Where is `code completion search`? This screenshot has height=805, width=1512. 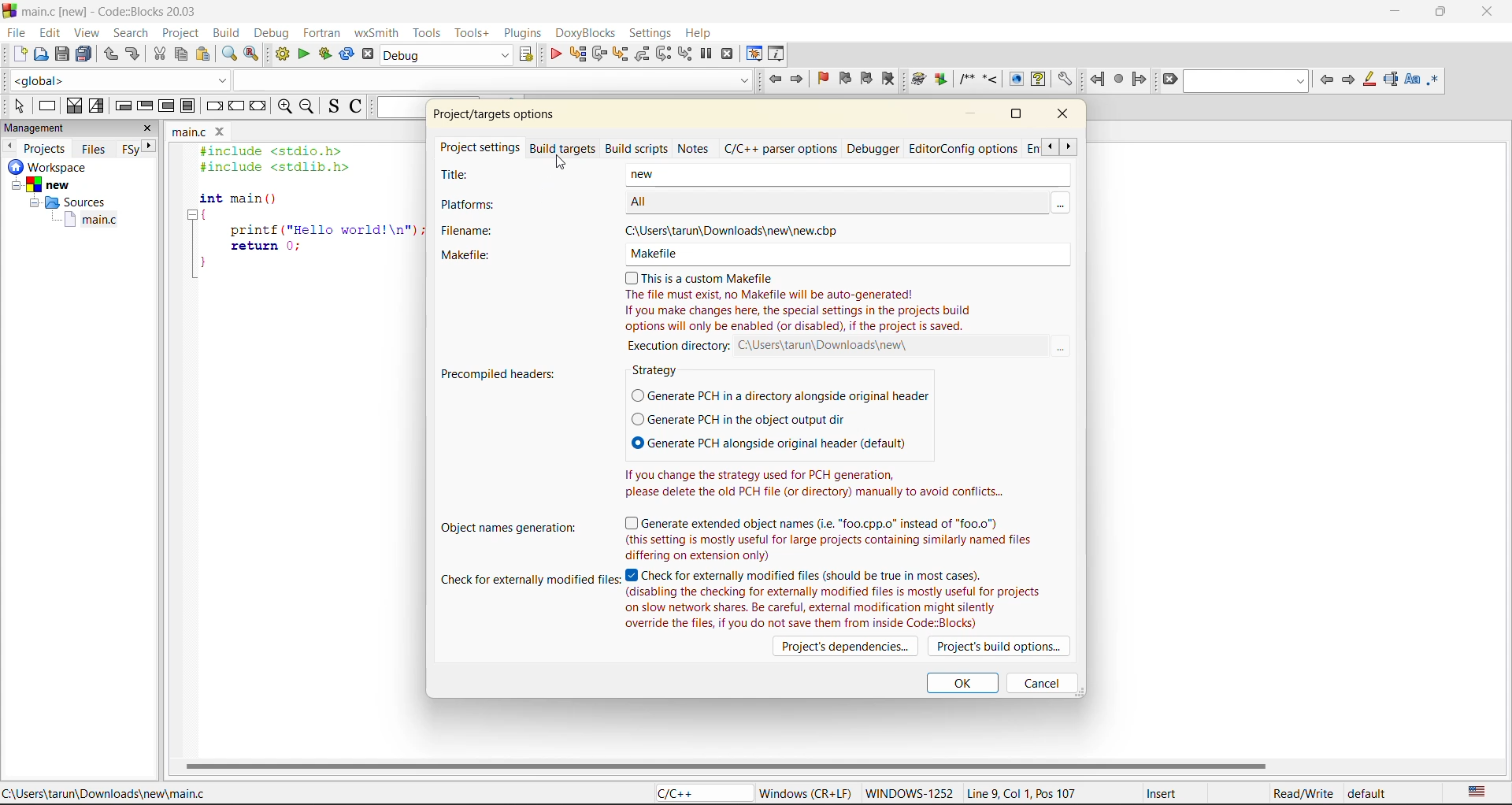
code completion search is located at coordinates (493, 79).